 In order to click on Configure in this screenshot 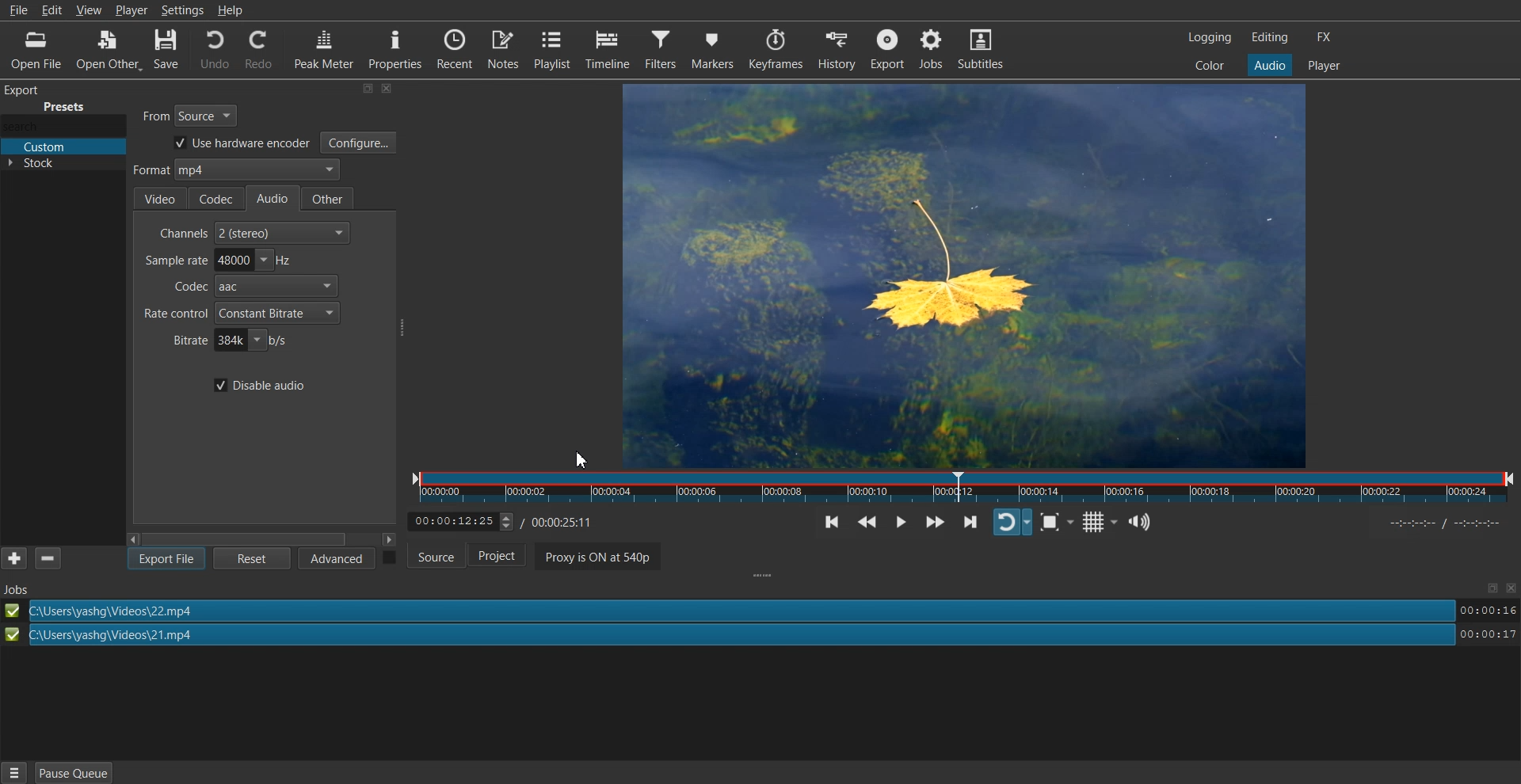, I will do `click(359, 143)`.